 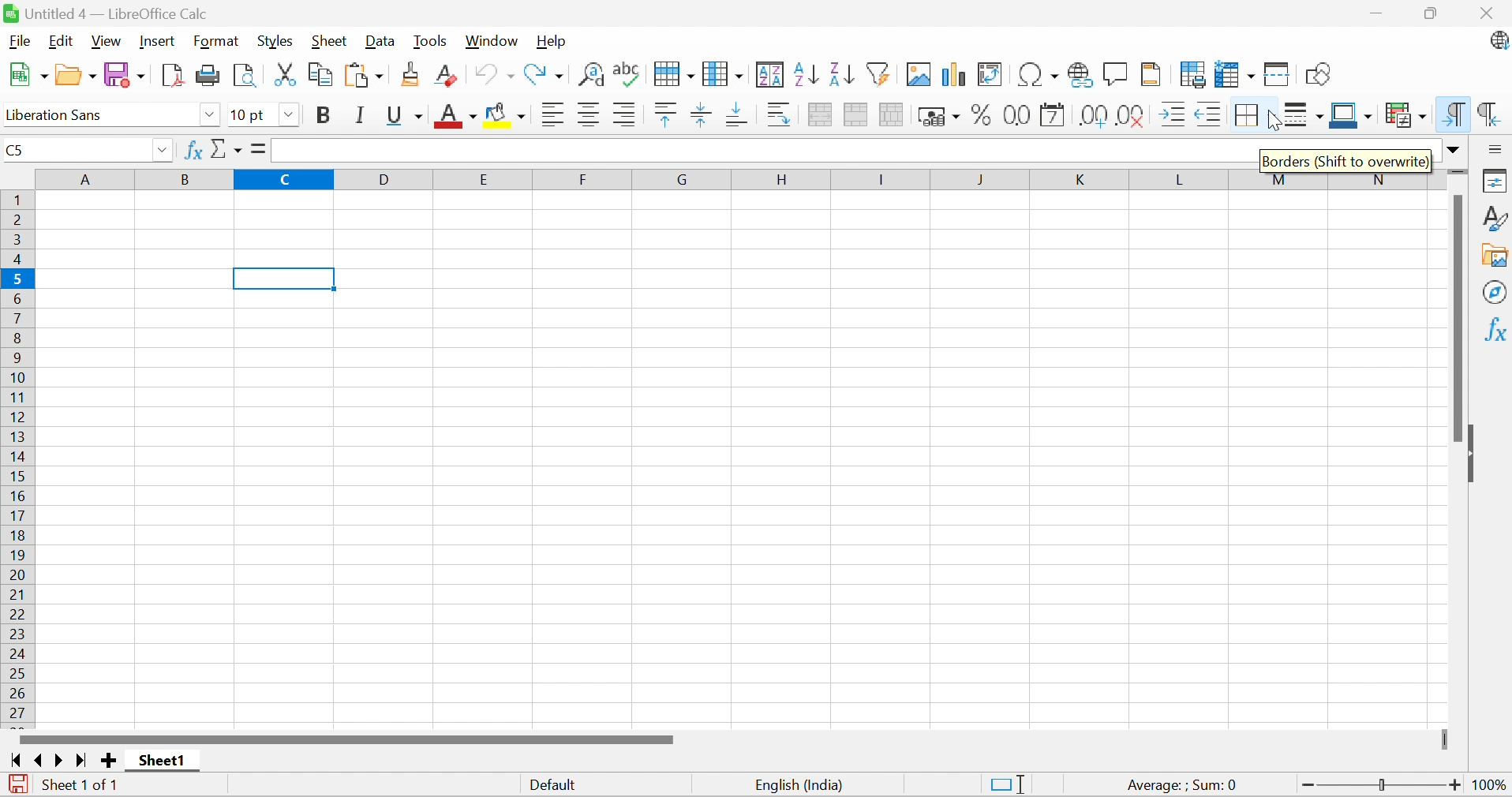 I want to click on Sot ascending, so click(x=807, y=73).